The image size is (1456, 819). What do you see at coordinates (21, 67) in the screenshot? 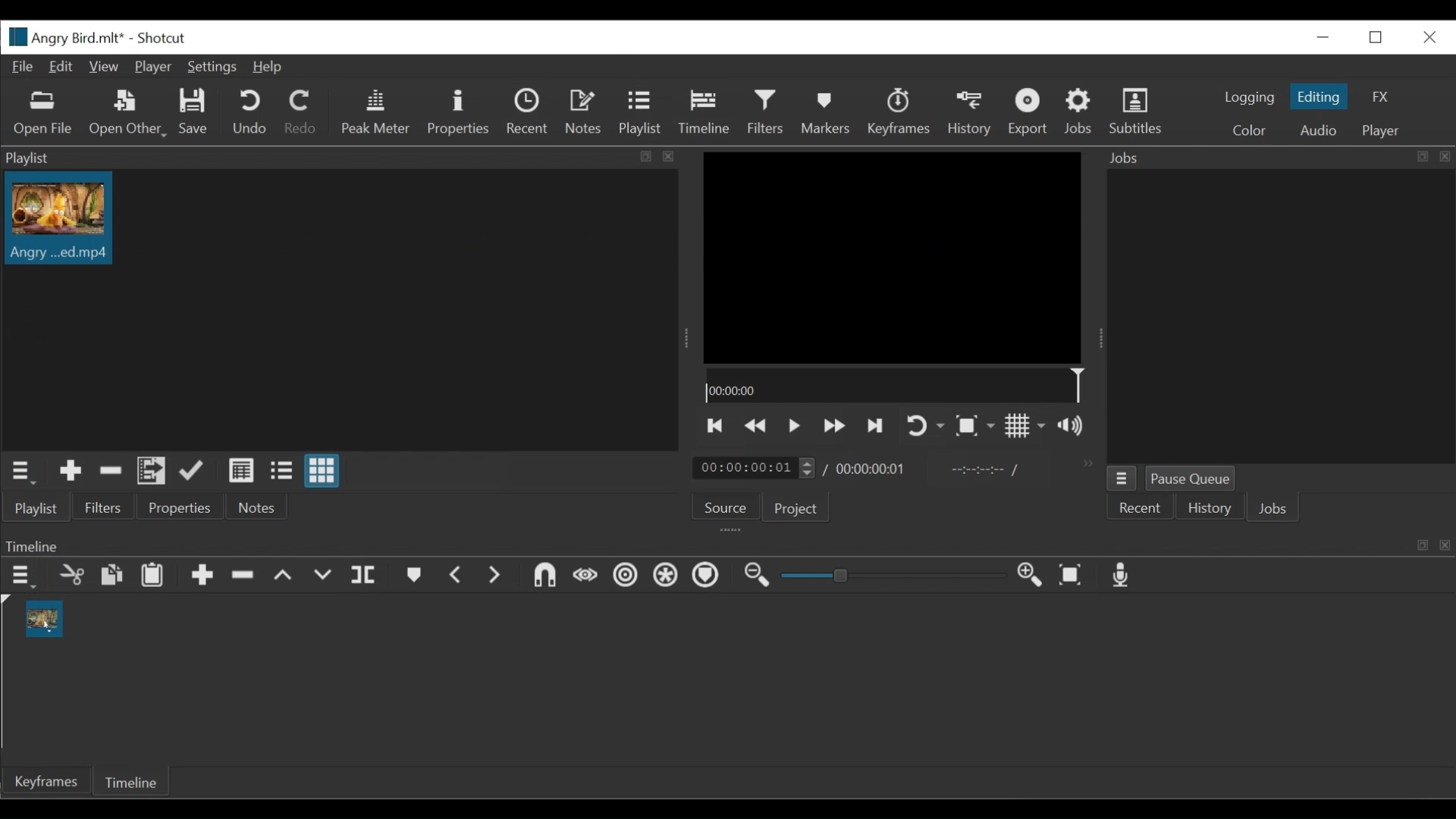
I see `File` at bounding box center [21, 67].